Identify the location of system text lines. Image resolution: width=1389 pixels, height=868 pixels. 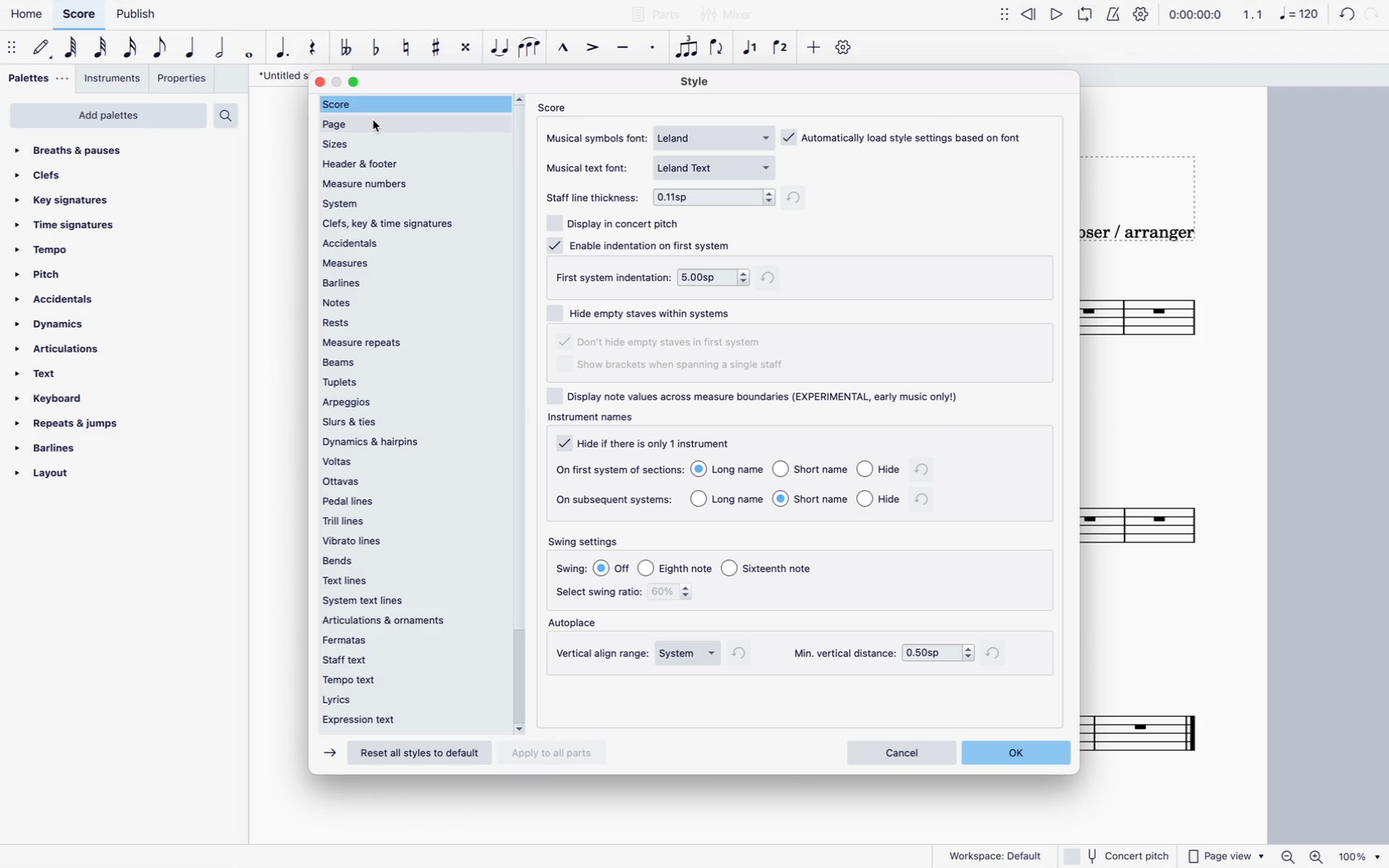
(375, 602).